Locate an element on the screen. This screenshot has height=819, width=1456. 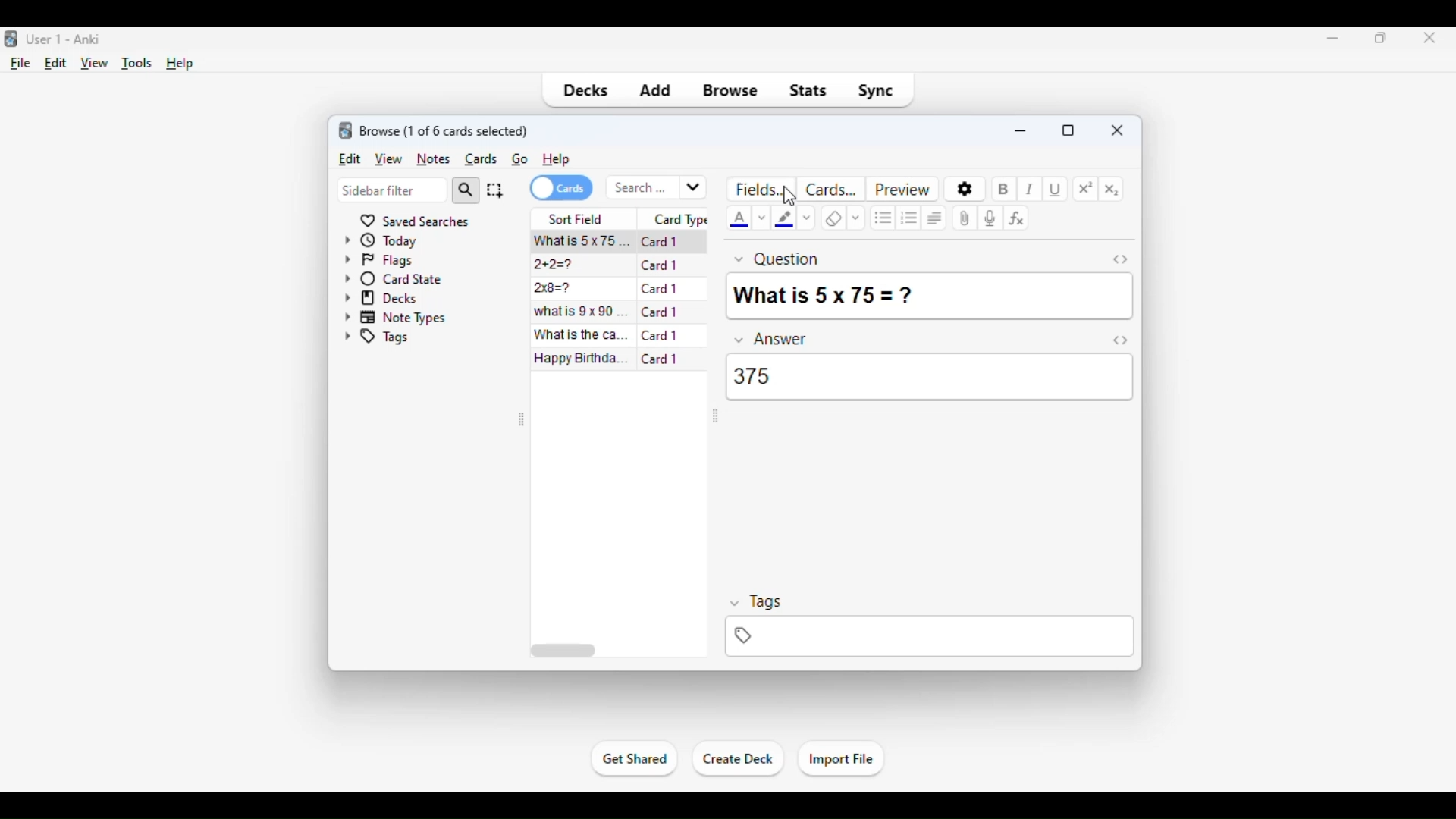
what is 9x90=? is located at coordinates (581, 311).